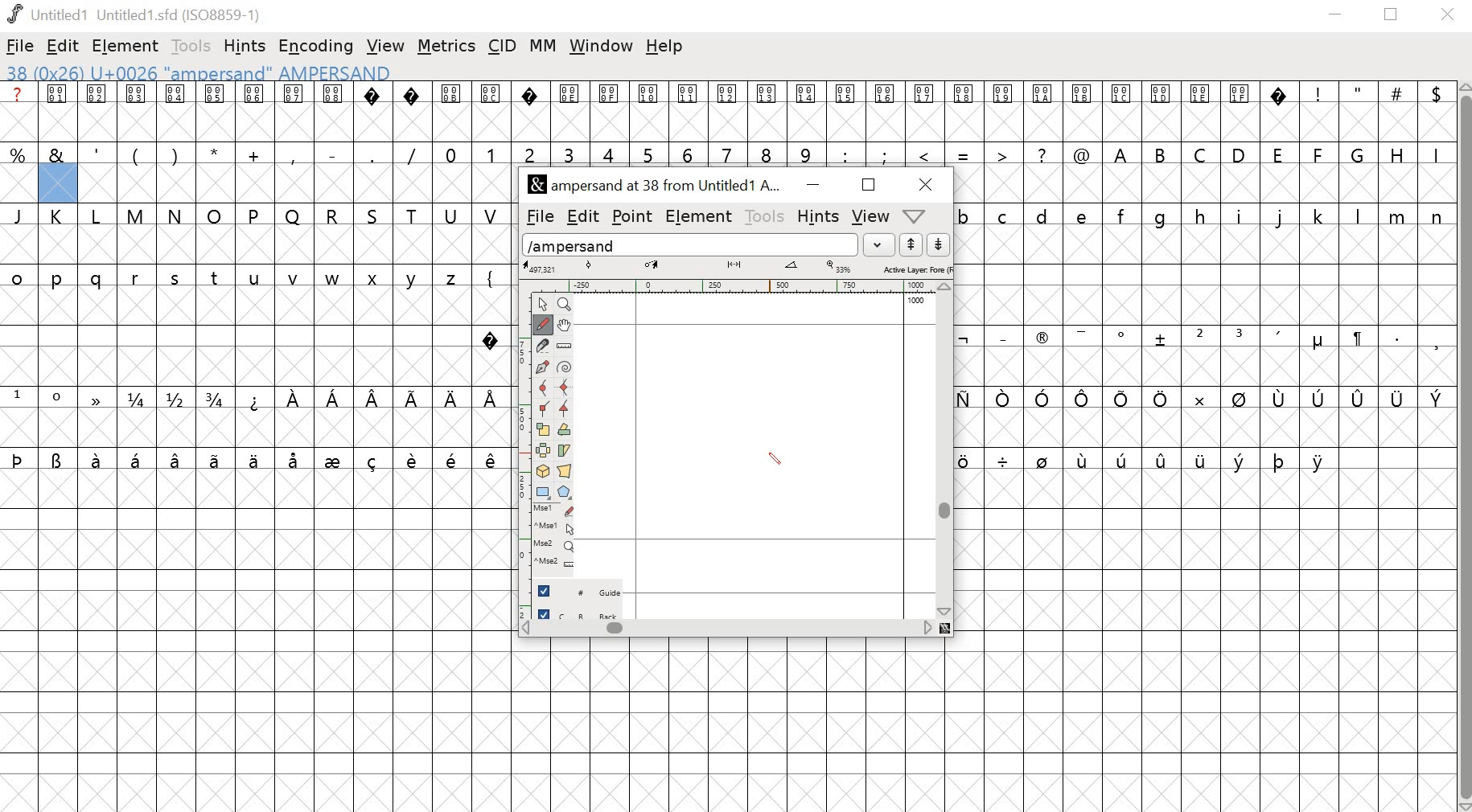 Image resolution: width=1472 pixels, height=812 pixels. Describe the element at coordinates (1318, 215) in the screenshot. I see `k` at that location.